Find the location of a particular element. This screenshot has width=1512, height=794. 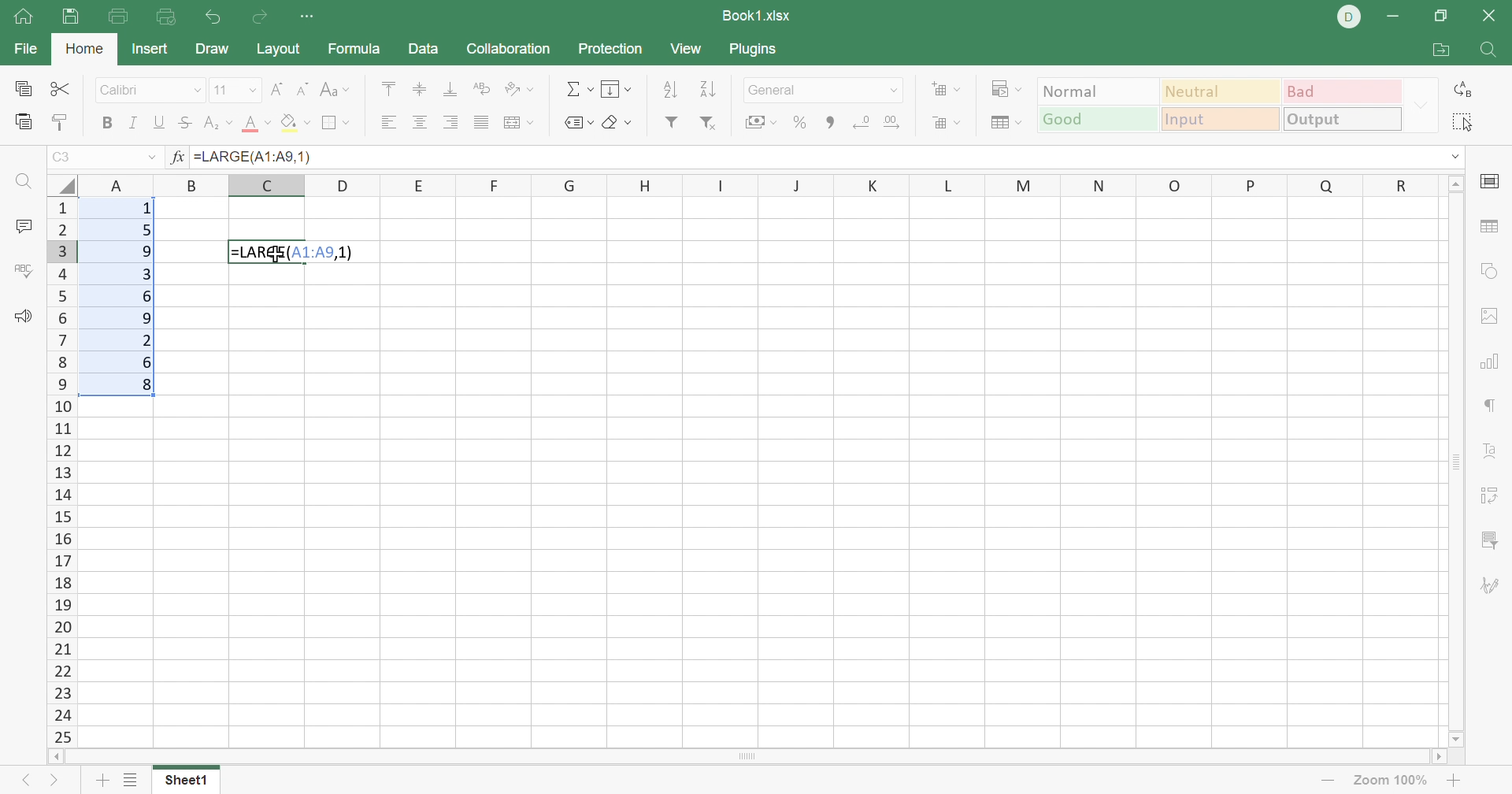

Font size is located at coordinates (257, 127).